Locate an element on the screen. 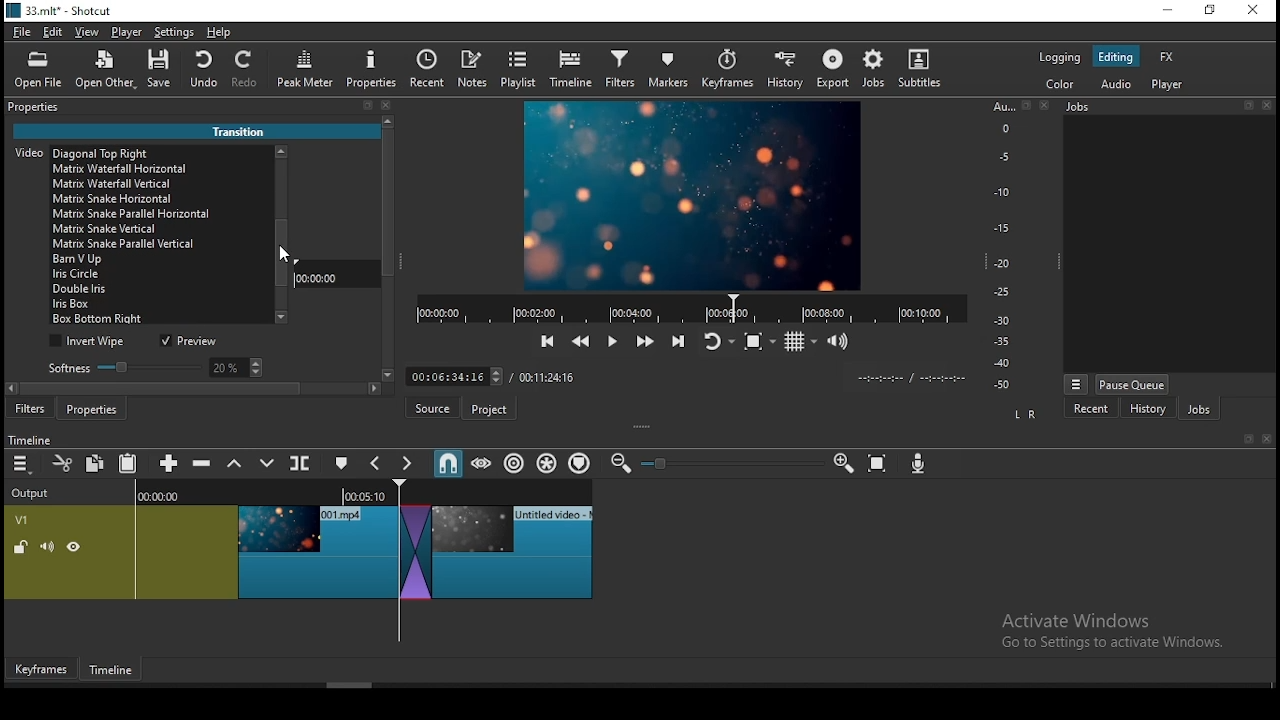   is located at coordinates (921, 466).